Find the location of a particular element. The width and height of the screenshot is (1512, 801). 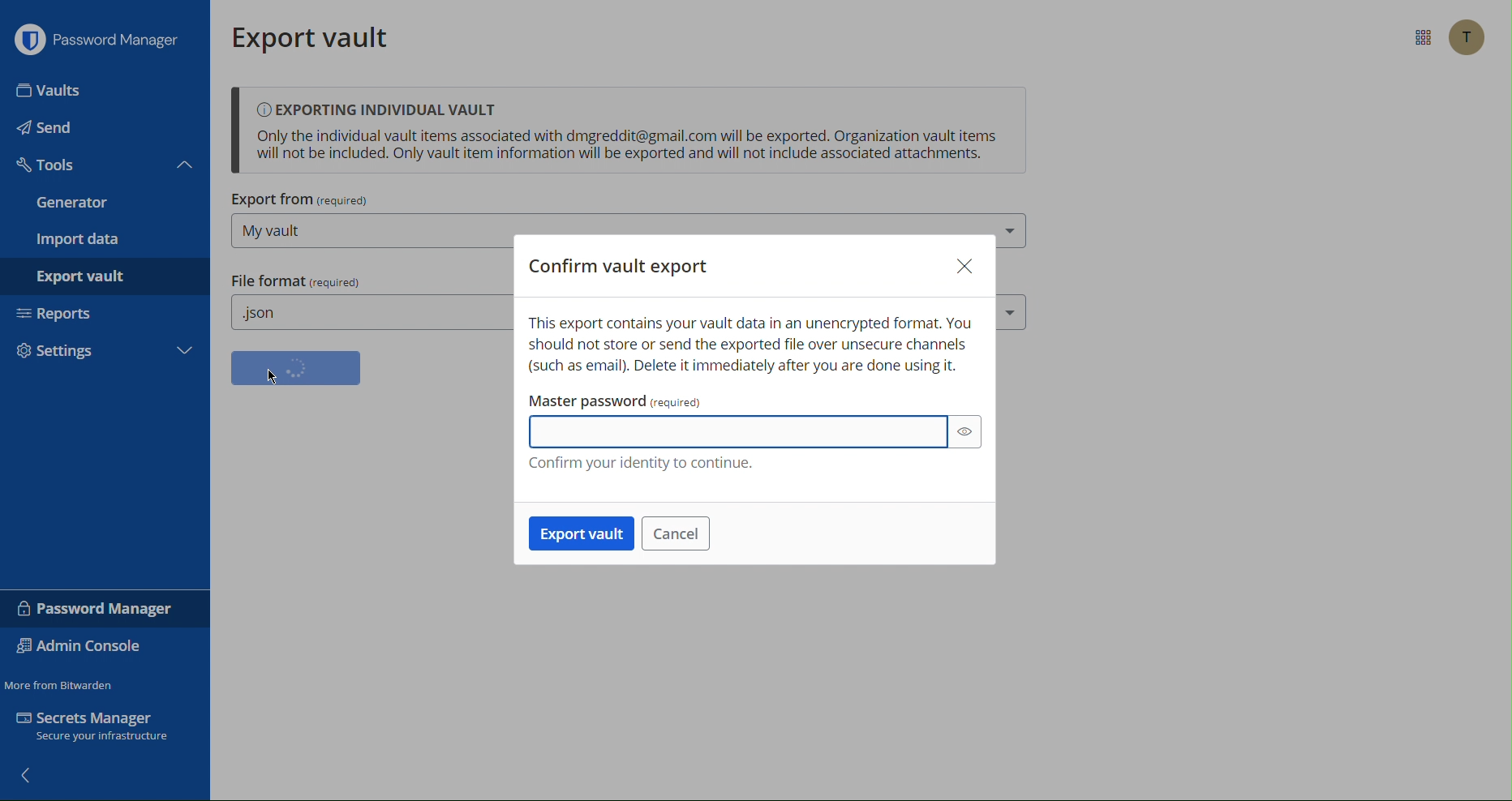

Cancel is located at coordinates (677, 534).